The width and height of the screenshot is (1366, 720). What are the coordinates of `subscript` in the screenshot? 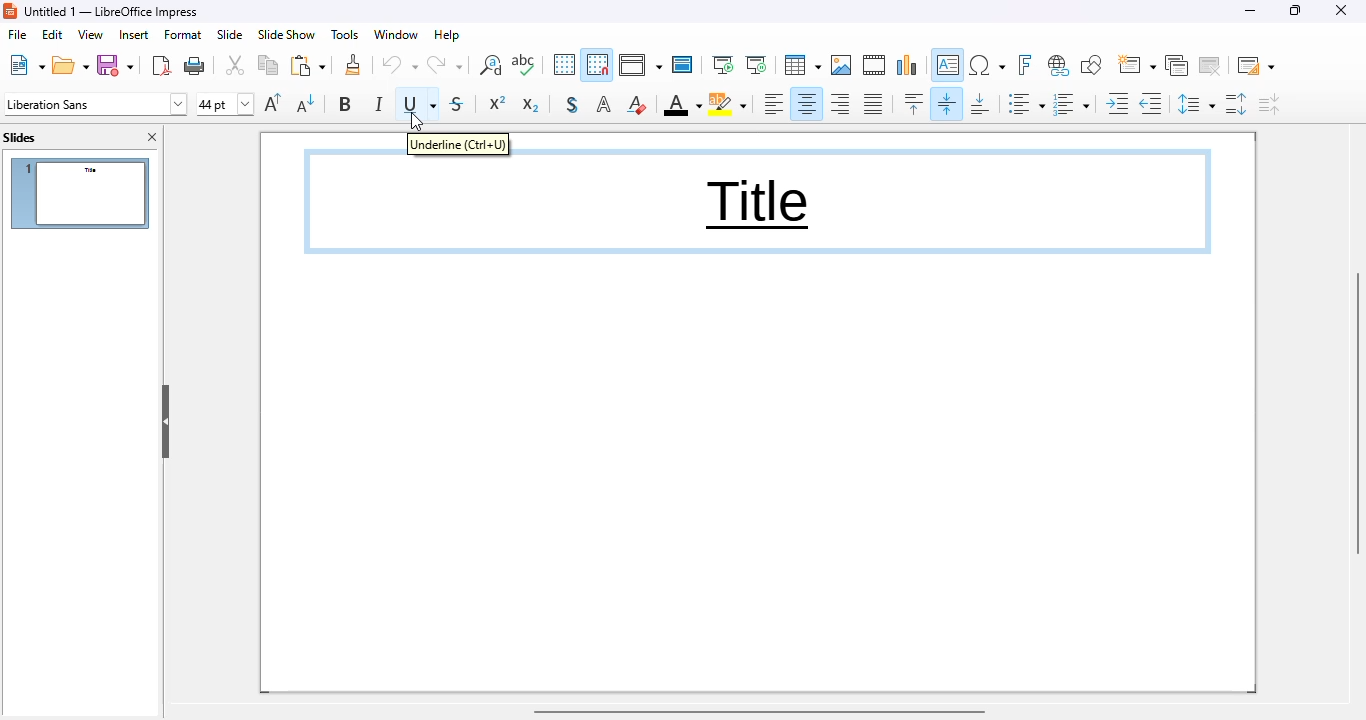 It's located at (529, 105).